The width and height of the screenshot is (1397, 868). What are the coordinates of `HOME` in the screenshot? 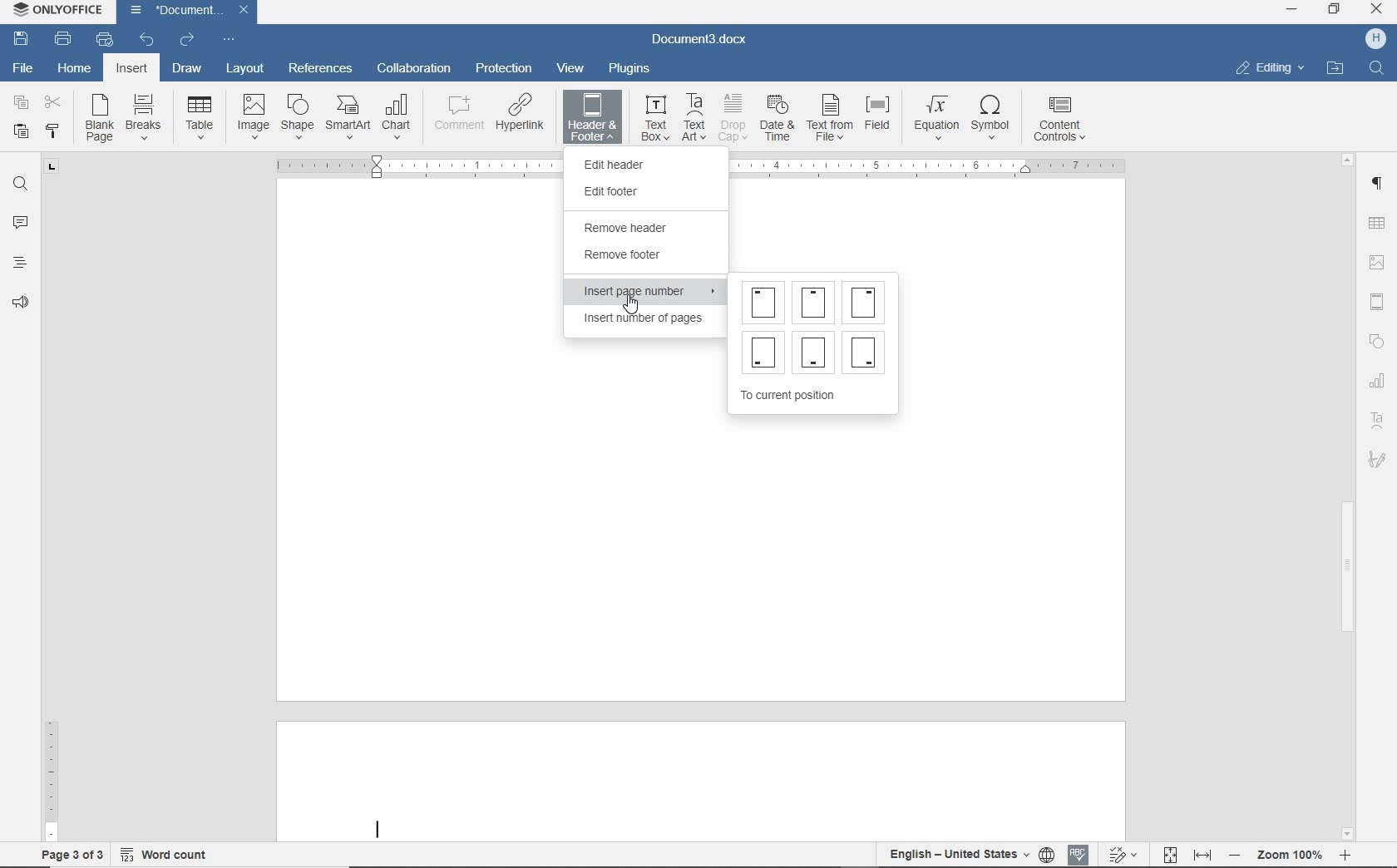 It's located at (76, 69).